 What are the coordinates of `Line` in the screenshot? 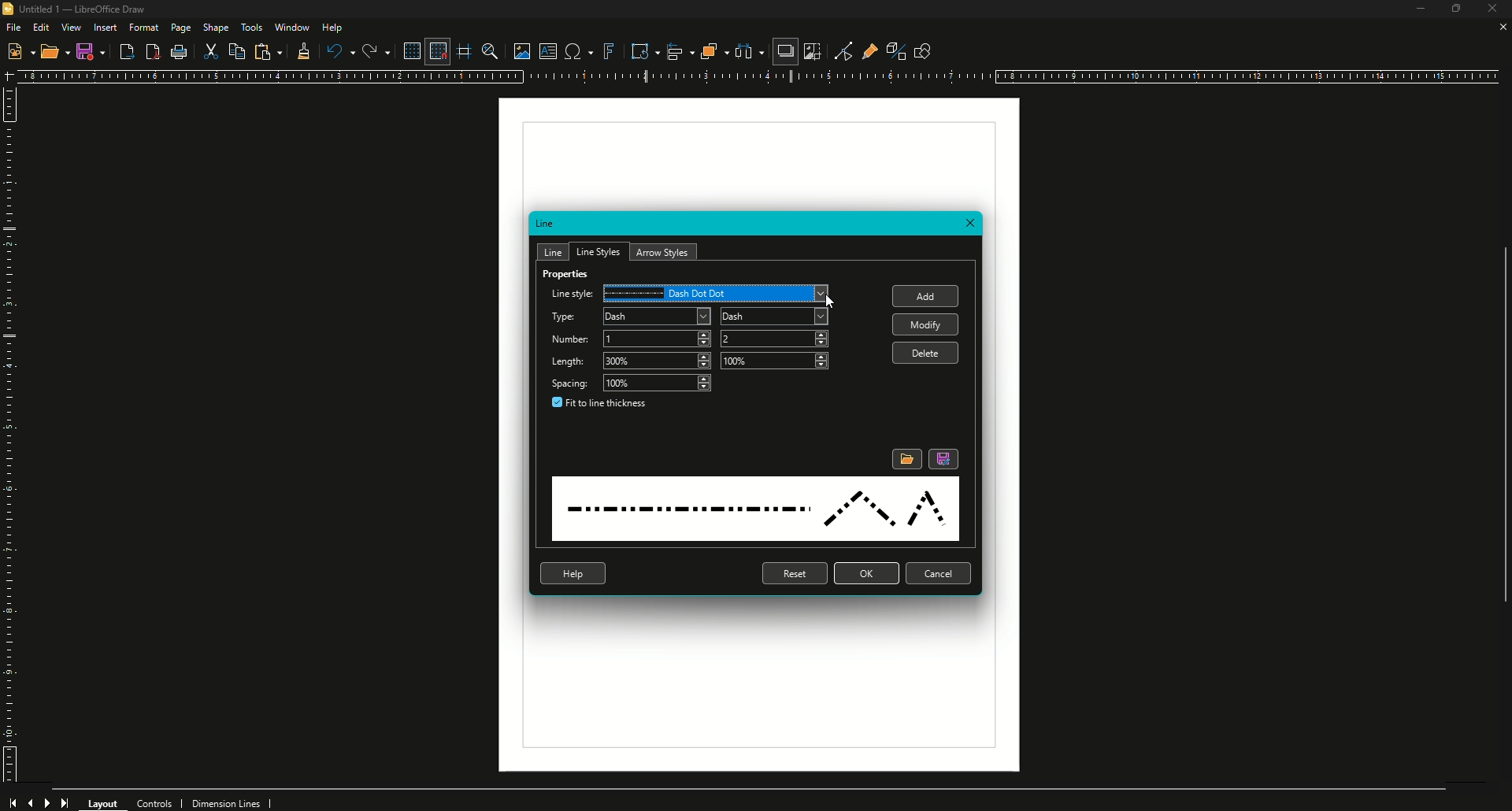 It's located at (554, 250).